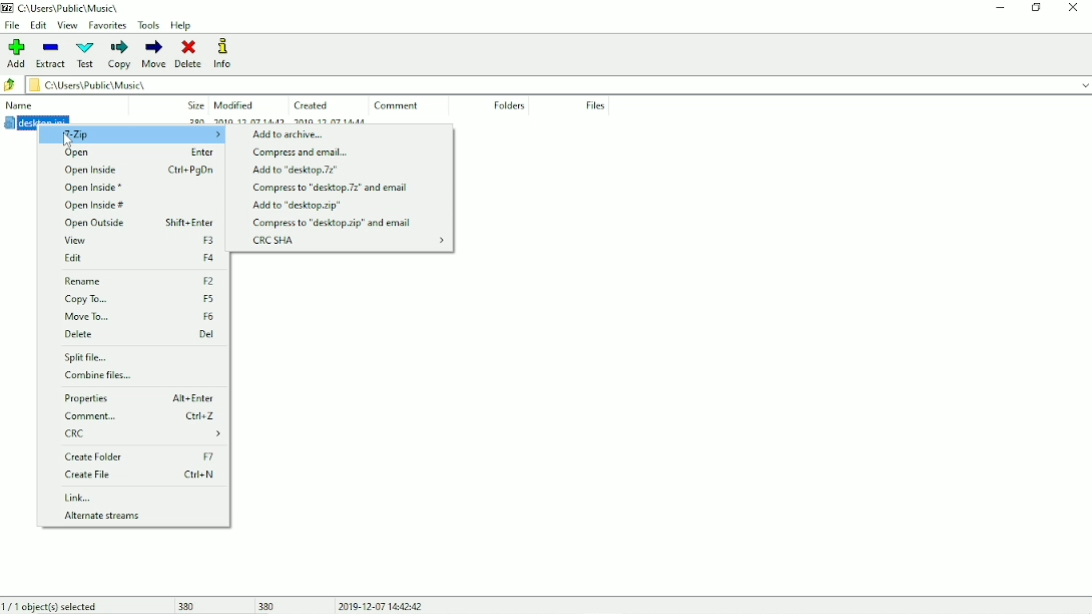  I want to click on View, so click(67, 25).